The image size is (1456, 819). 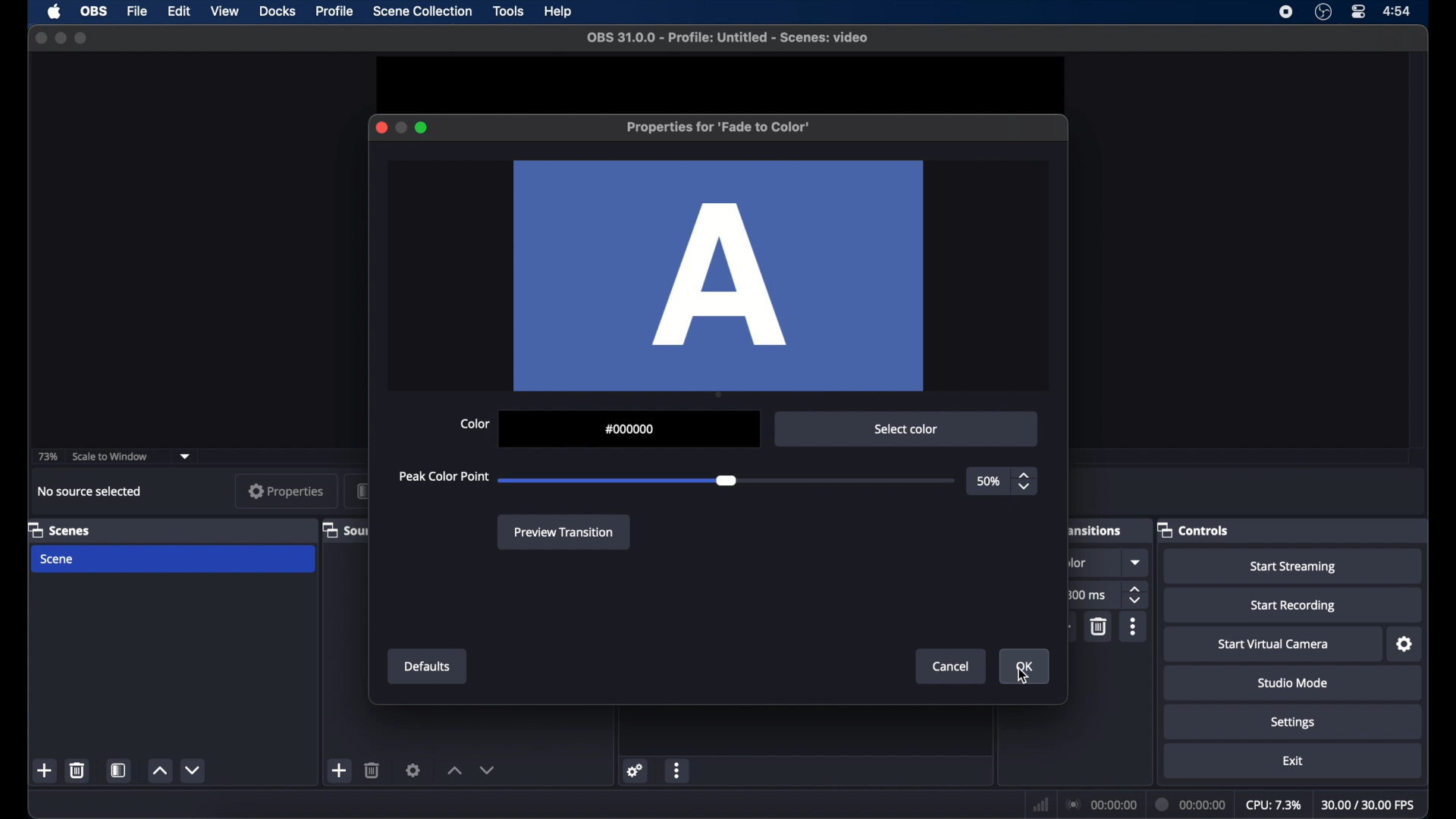 I want to click on scene, so click(x=58, y=560).